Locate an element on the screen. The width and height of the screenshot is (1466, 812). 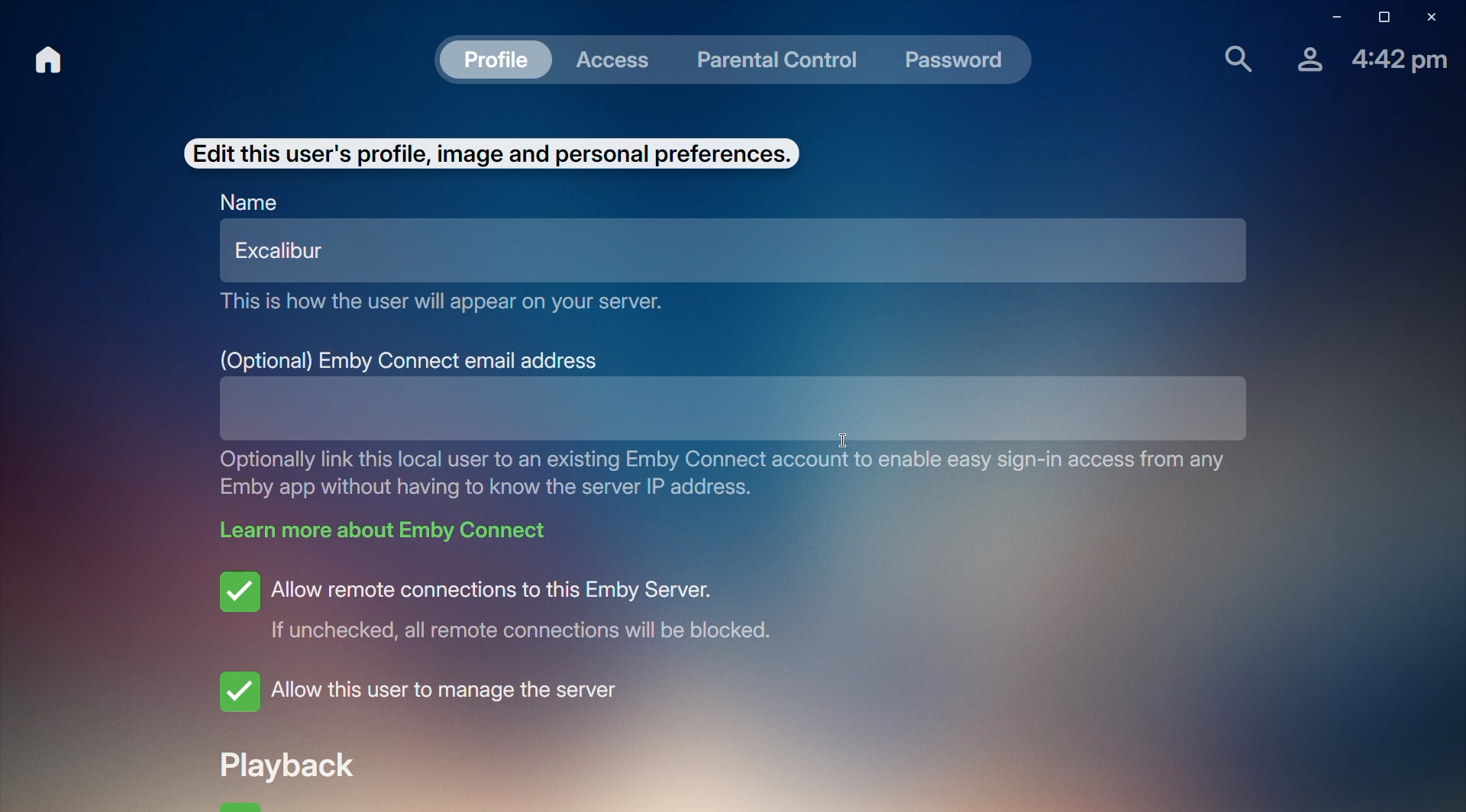
4:42 pm is located at coordinates (1401, 61).